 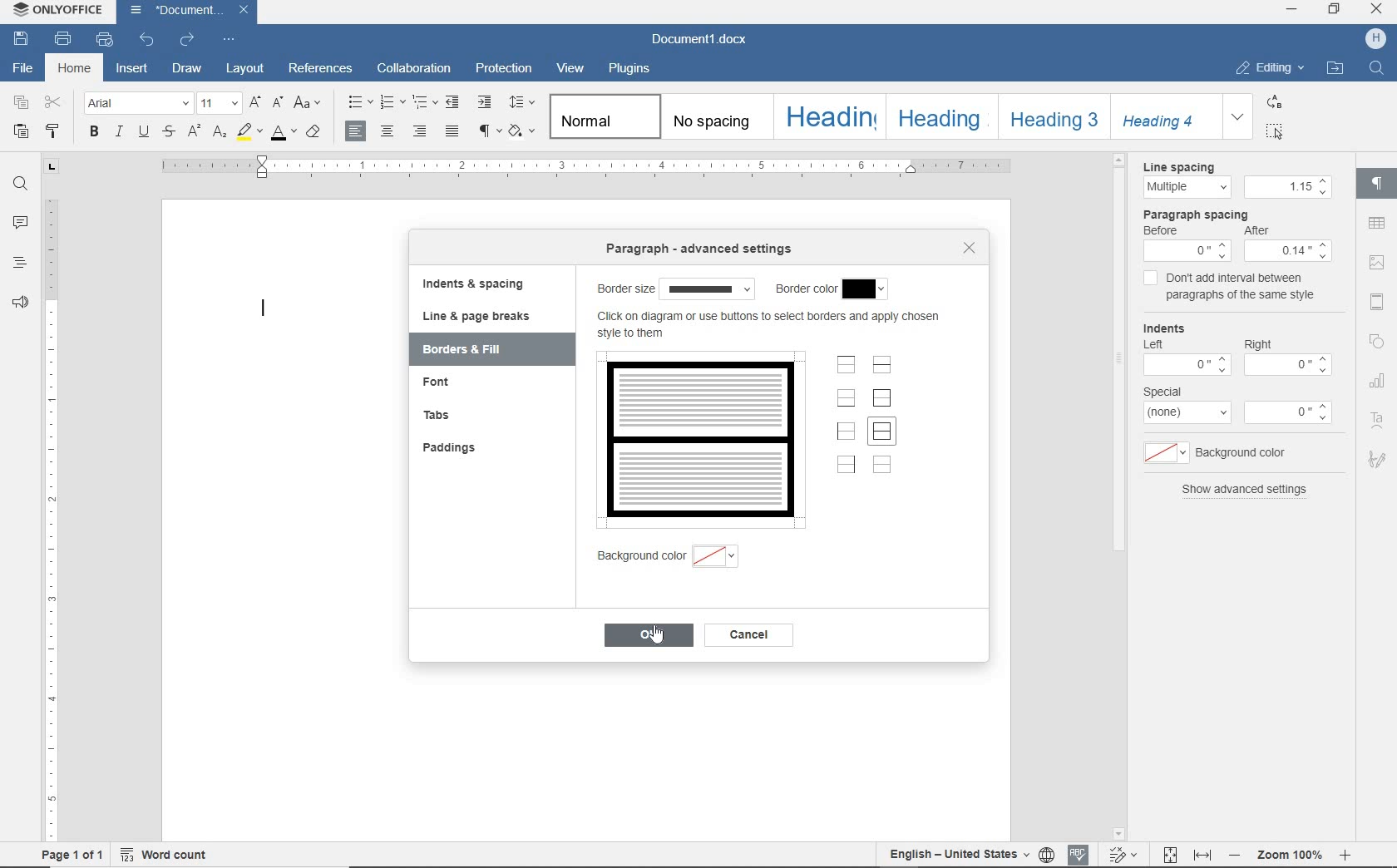 What do you see at coordinates (652, 635) in the screenshot?
I see `ok` at bounding box center [652, 635].